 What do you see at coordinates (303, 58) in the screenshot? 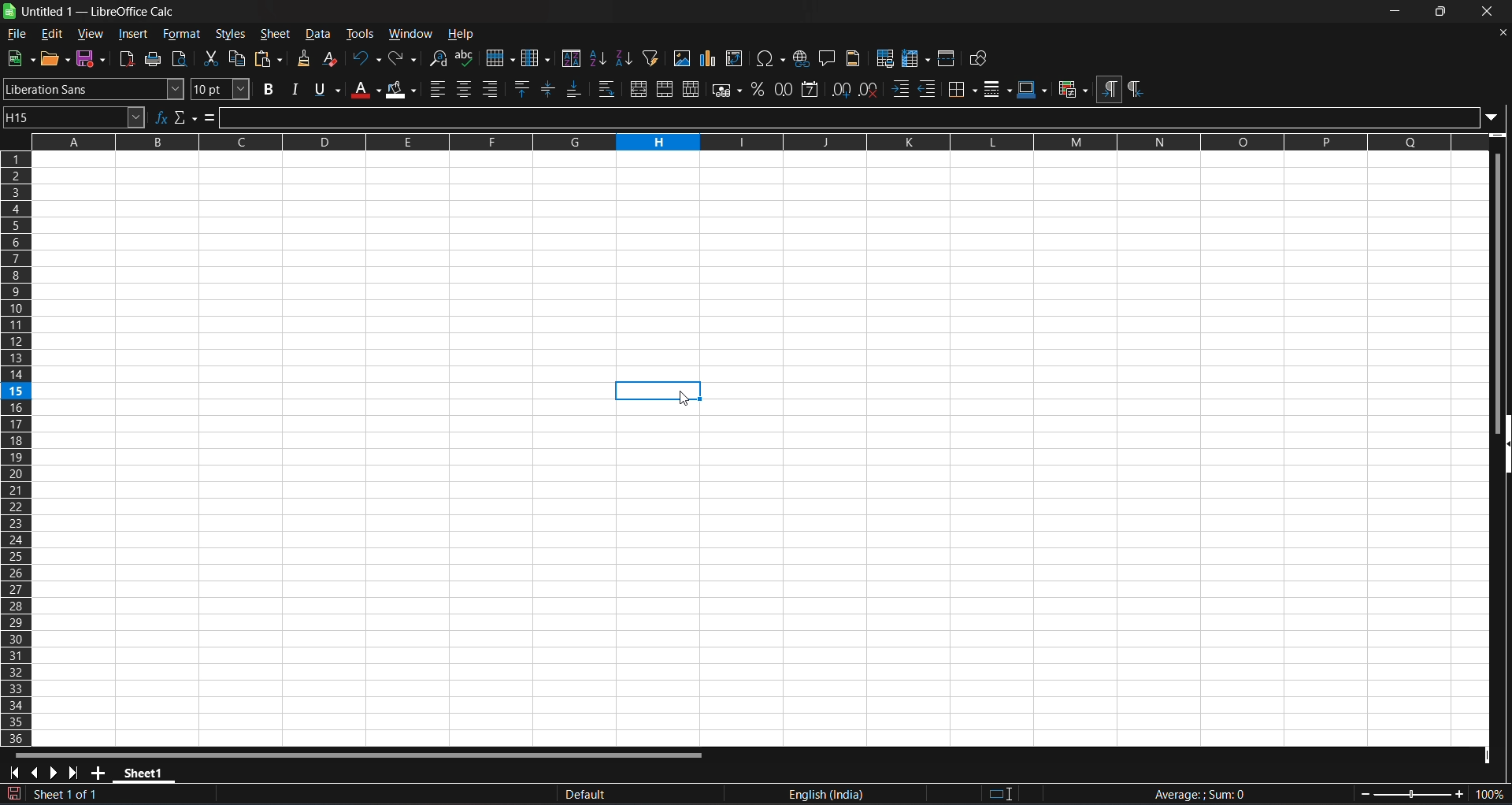
I see `clone formatting` at bounding box center [303, 58].